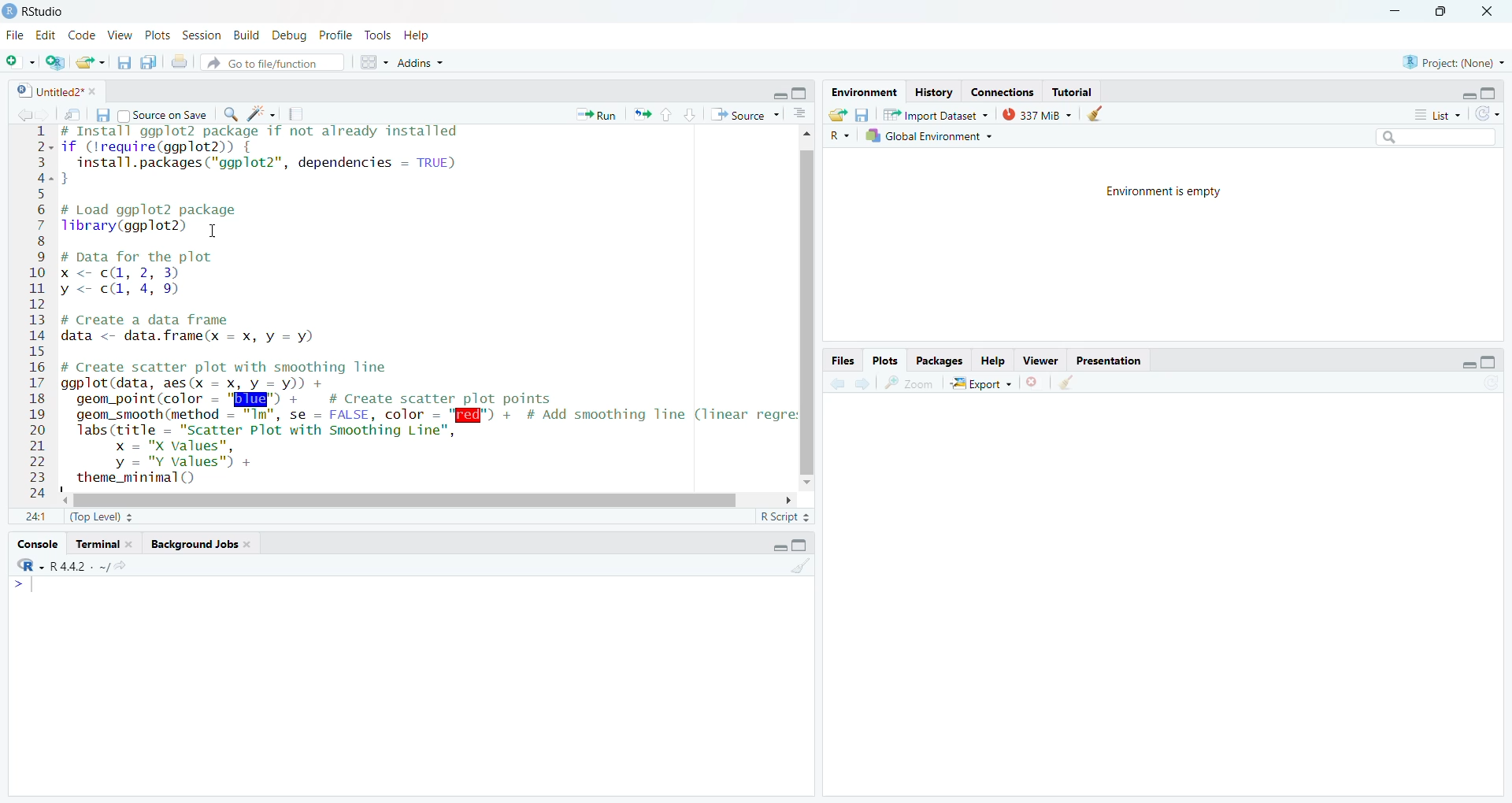  What do you see at coordinates (25, 113) in the screenshot?
I see `go back to the previous source location` at bounding box center [25, 113].